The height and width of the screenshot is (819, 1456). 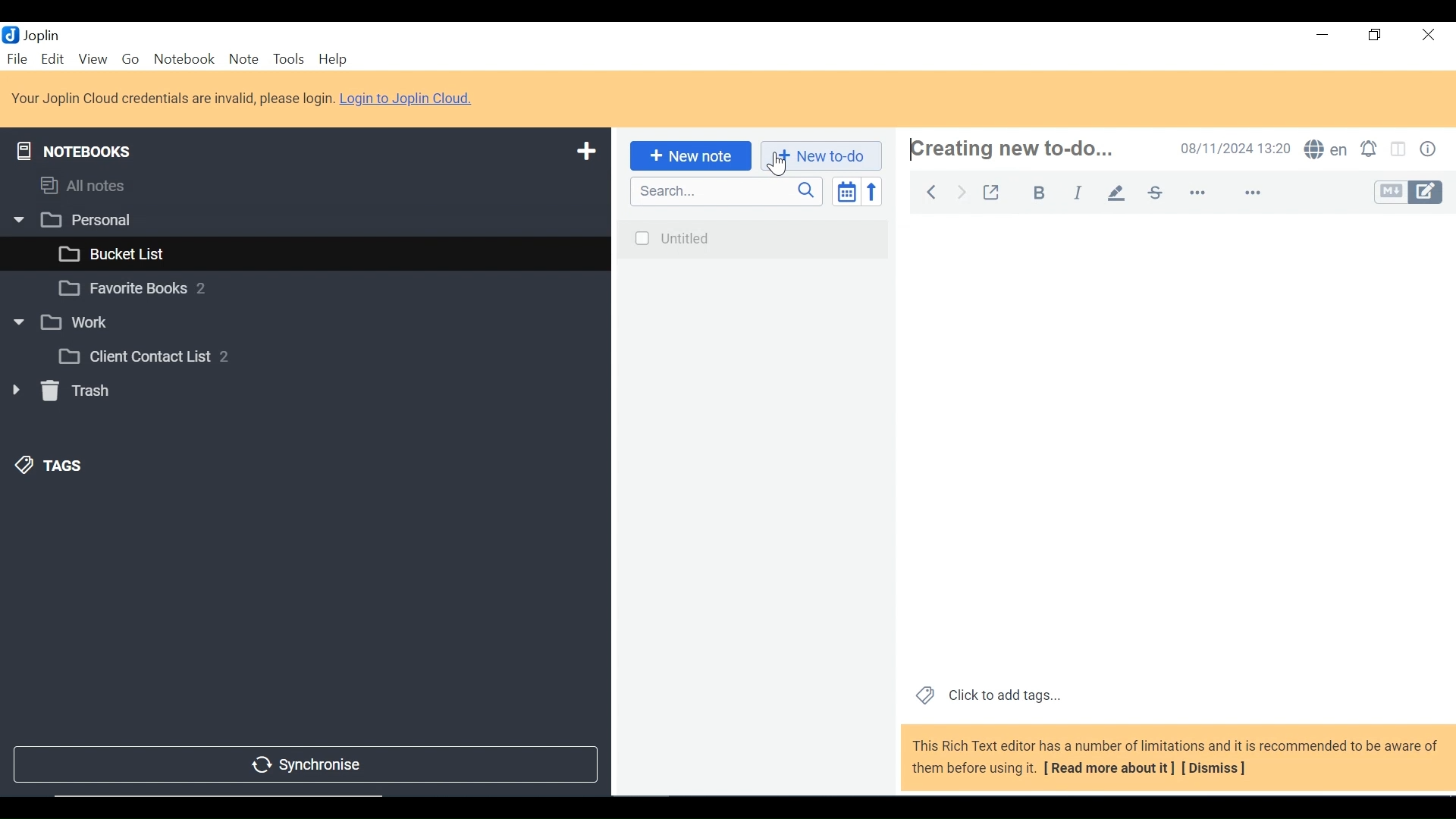 I want to click on Note Name, so click(x=1014, y=149).